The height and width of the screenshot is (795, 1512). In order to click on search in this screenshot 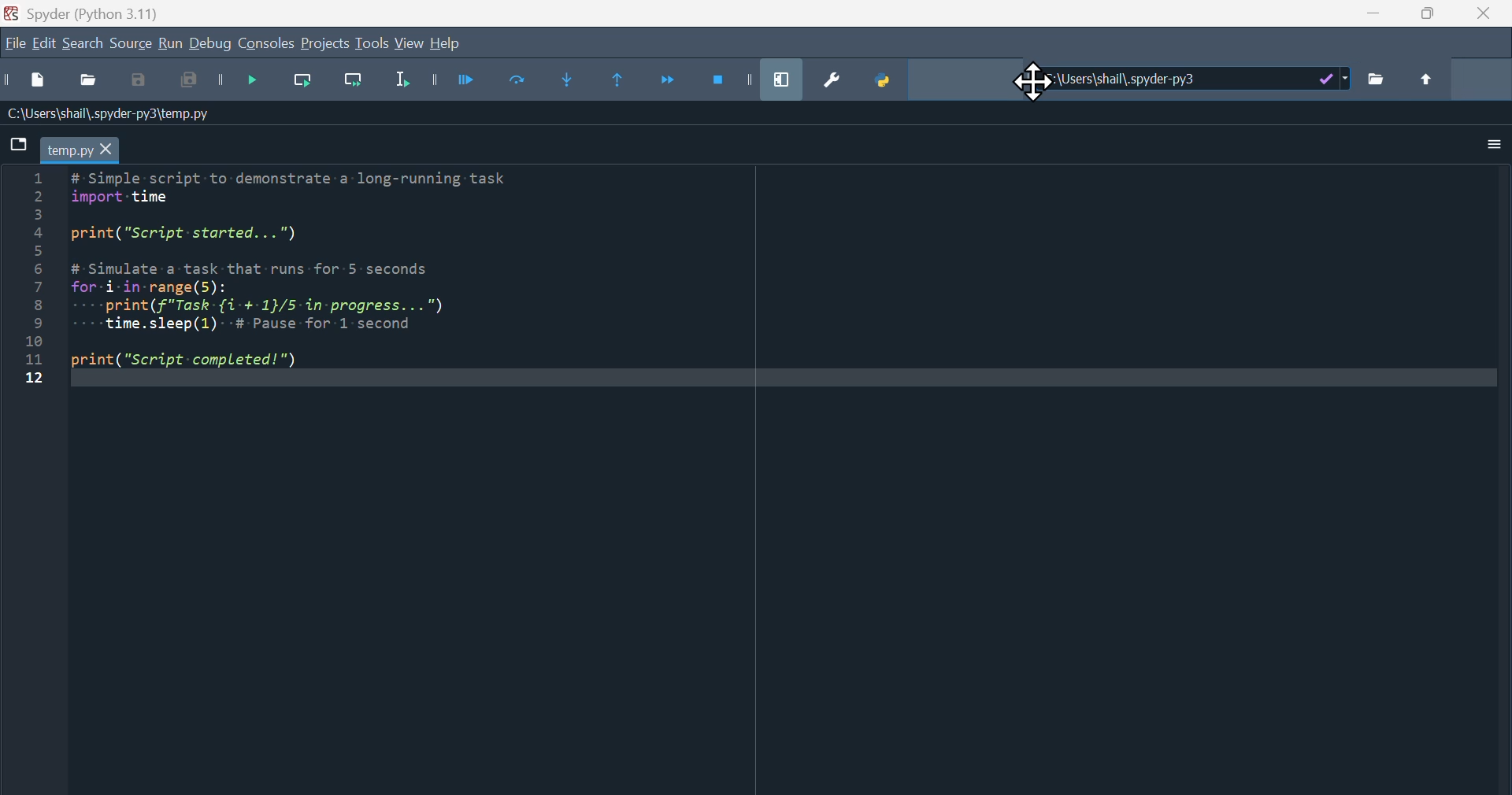, I will do `click(83, 44)`.